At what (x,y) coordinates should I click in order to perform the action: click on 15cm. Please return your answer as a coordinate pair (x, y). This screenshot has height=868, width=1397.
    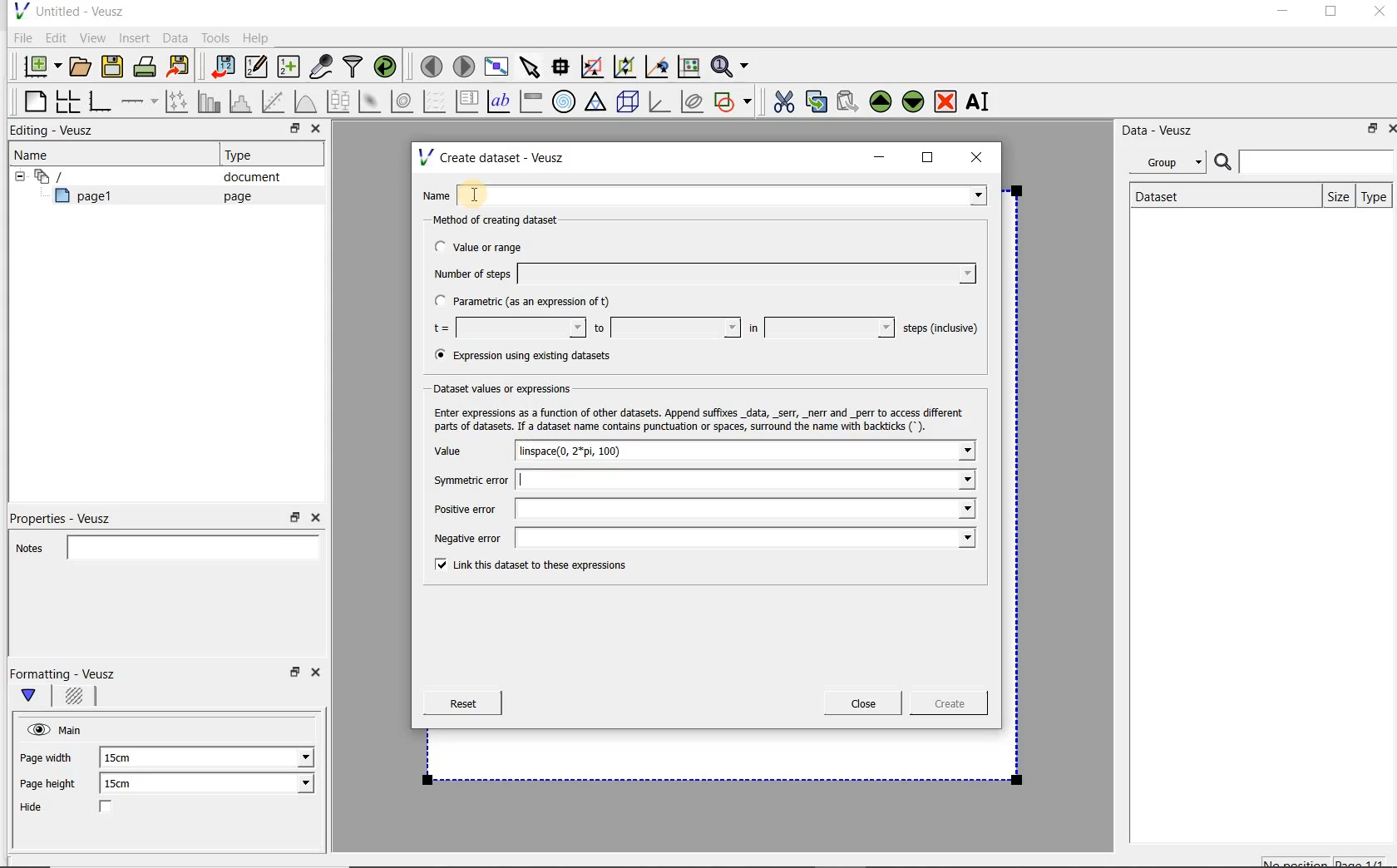
    Looking at the image, I should click on (128, 784).